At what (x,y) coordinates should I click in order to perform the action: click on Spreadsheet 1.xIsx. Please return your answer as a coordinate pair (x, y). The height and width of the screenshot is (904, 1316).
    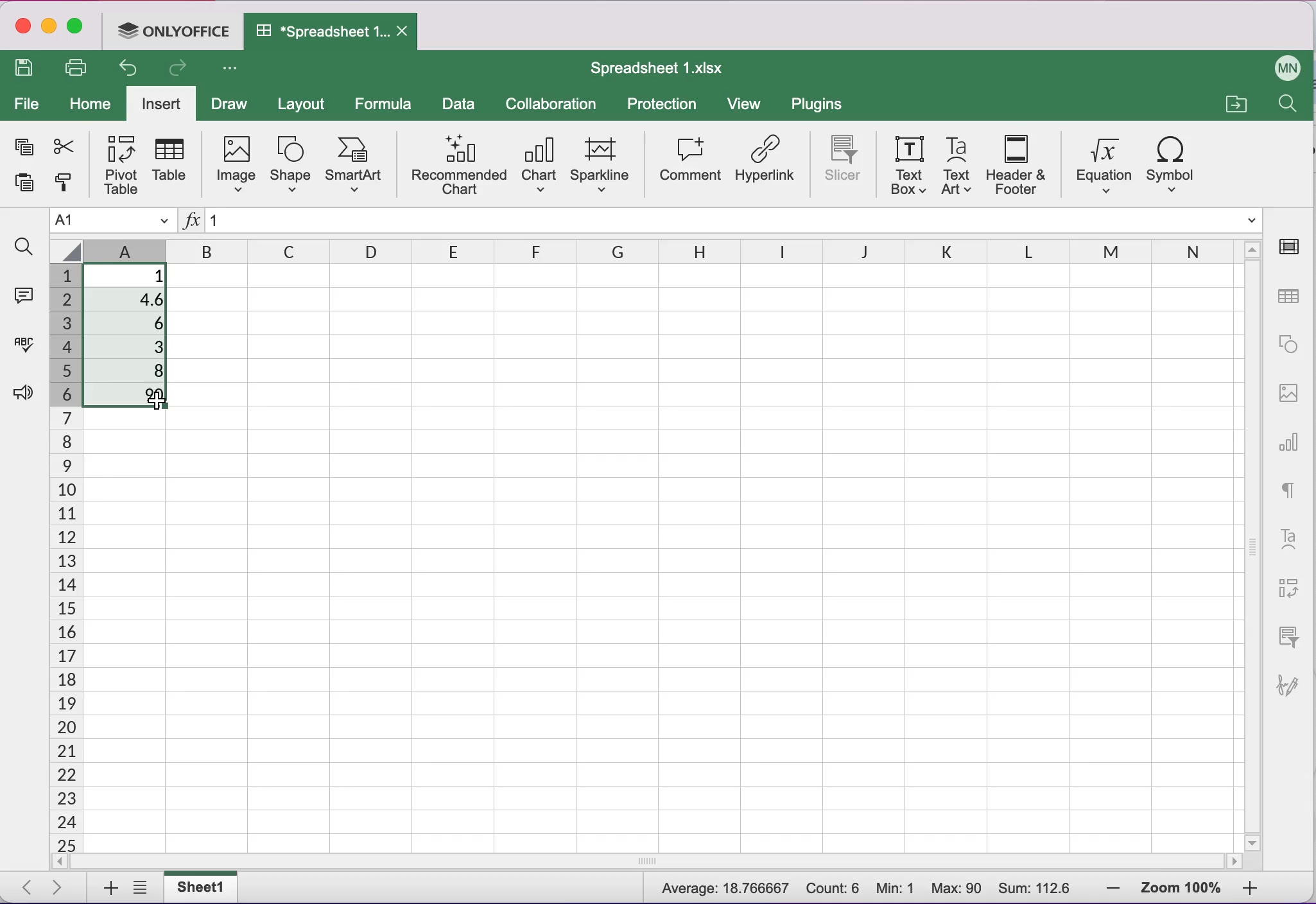
    Looking at the image, I should click on (324, 33).